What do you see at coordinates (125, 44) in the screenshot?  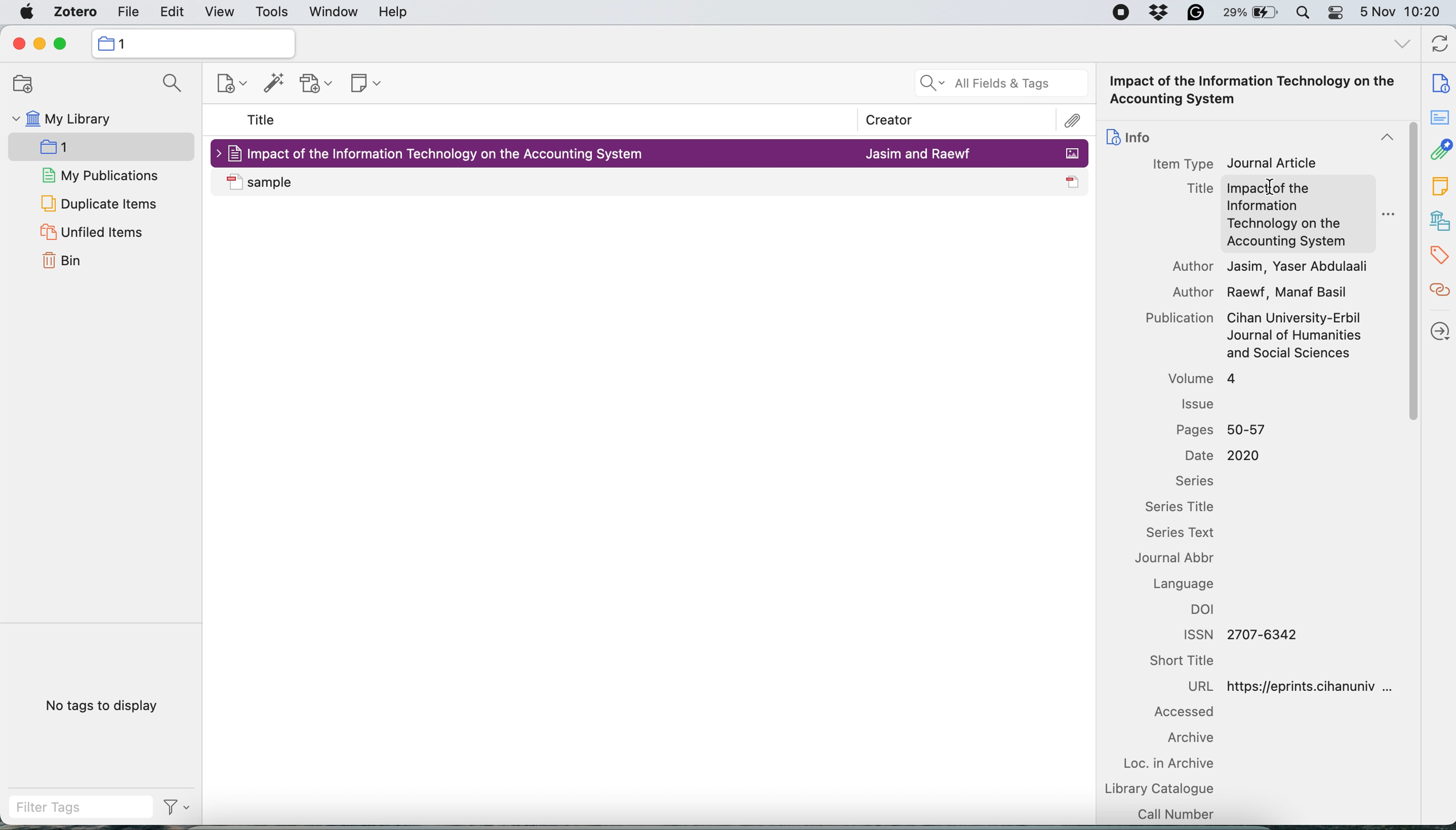 I see `collection` at bounding box center [125, 44].